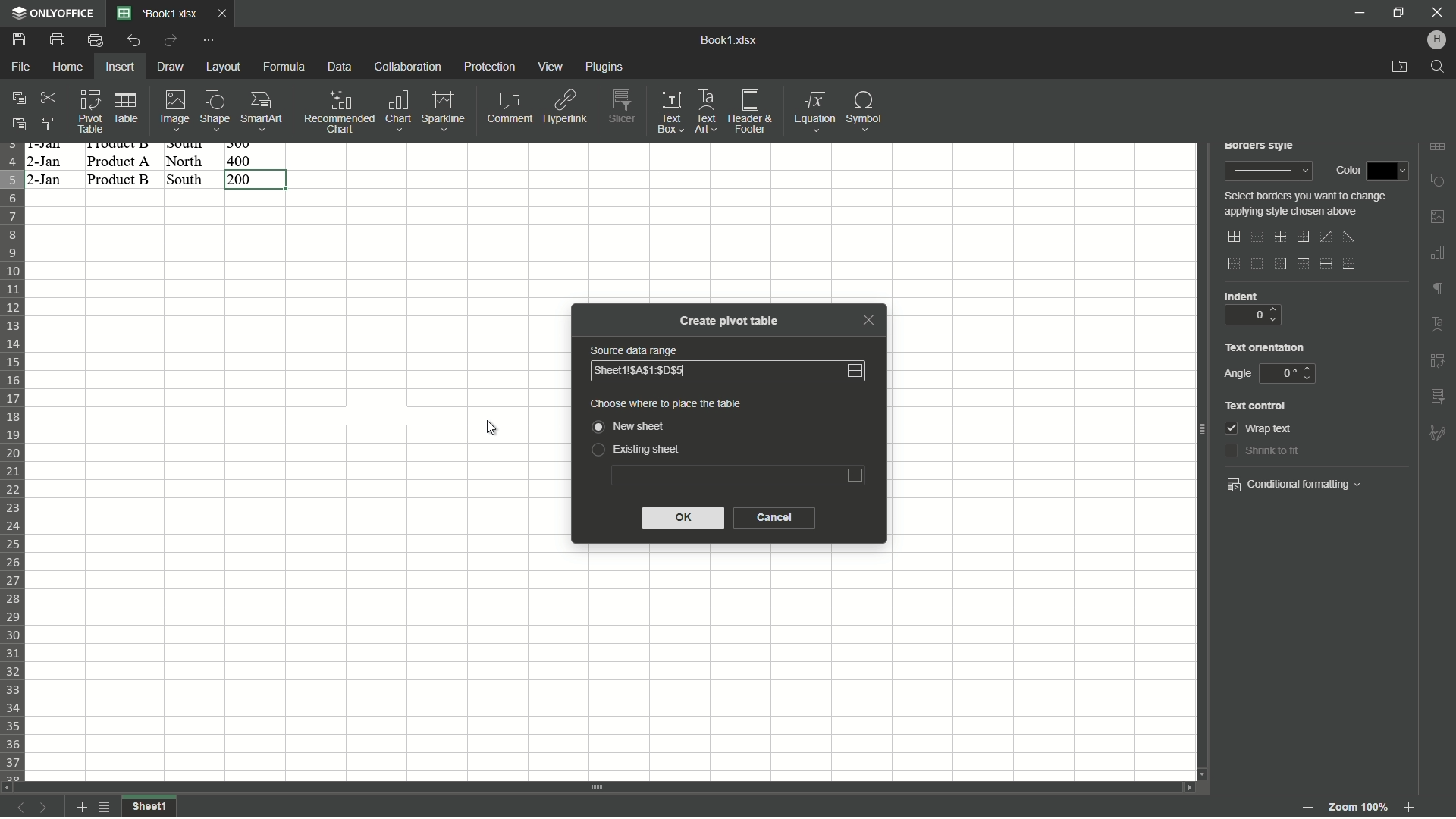  Describe the element at coordinates (19, 810) in the screenshot. I see `previous sheet` at that location.